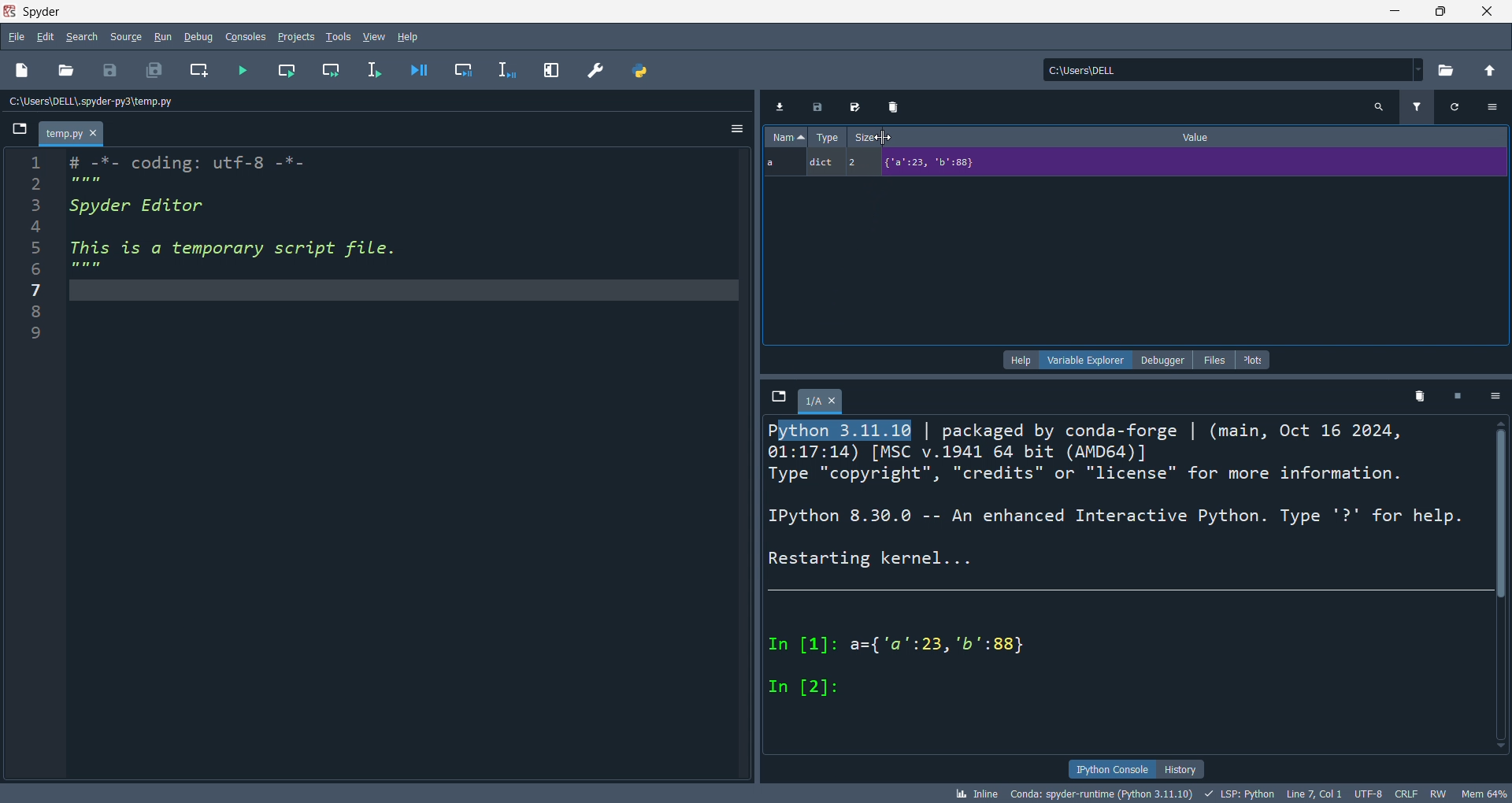  What do you see at coordinates (106, 67) in the screenshot?
I see `save` at bounding box center [106, 67].